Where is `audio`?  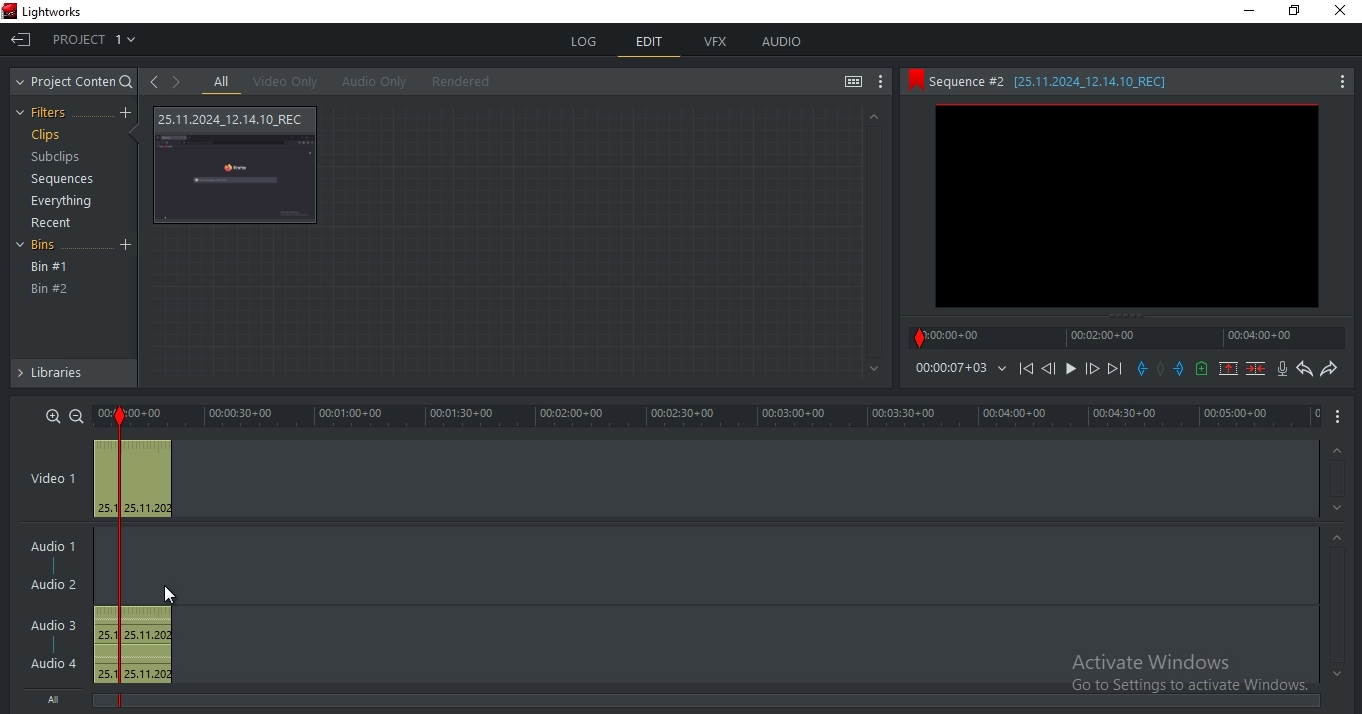 audio is located at coordinates (134, 645).